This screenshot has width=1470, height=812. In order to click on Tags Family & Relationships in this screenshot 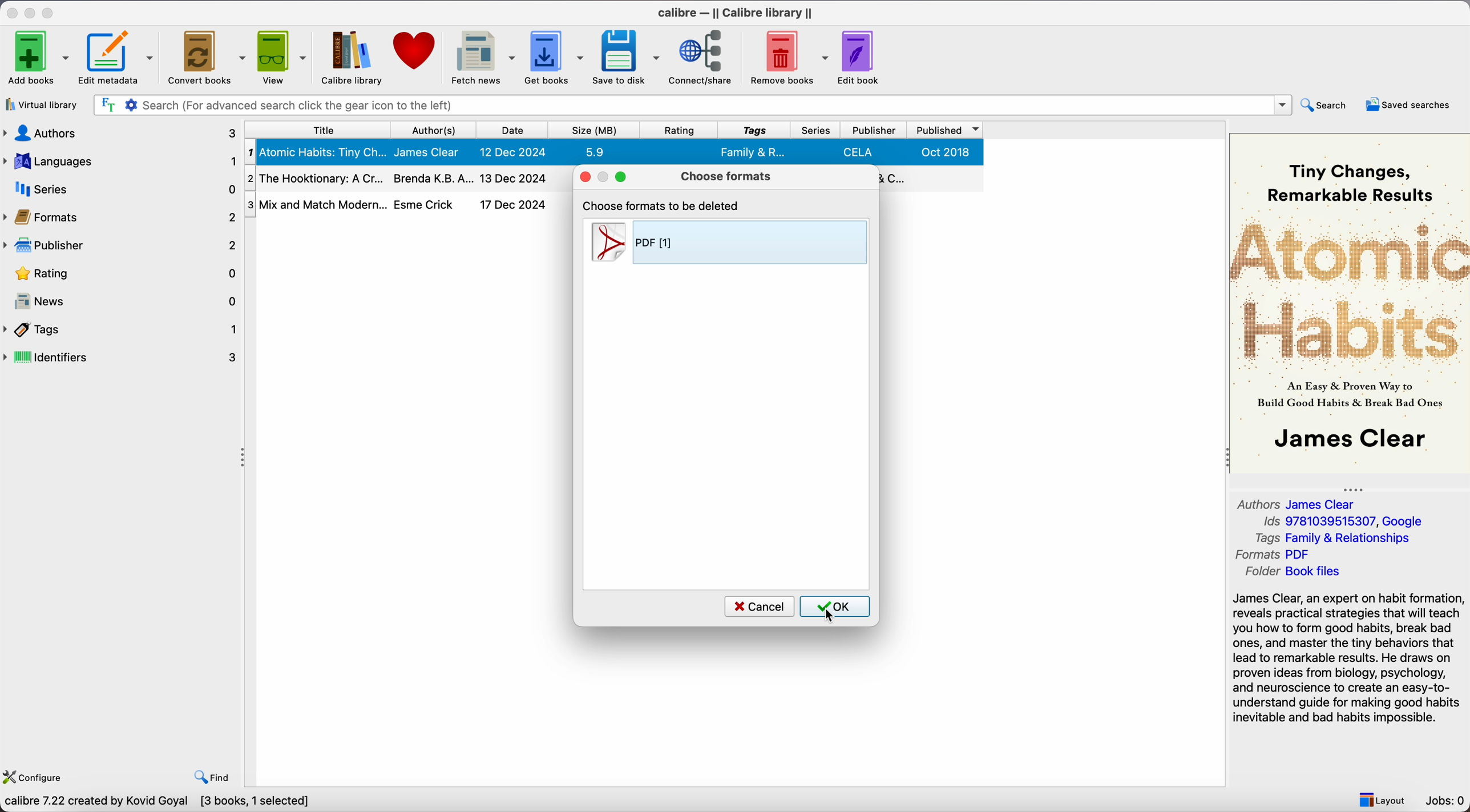, I will do `click(1330, 538)`.